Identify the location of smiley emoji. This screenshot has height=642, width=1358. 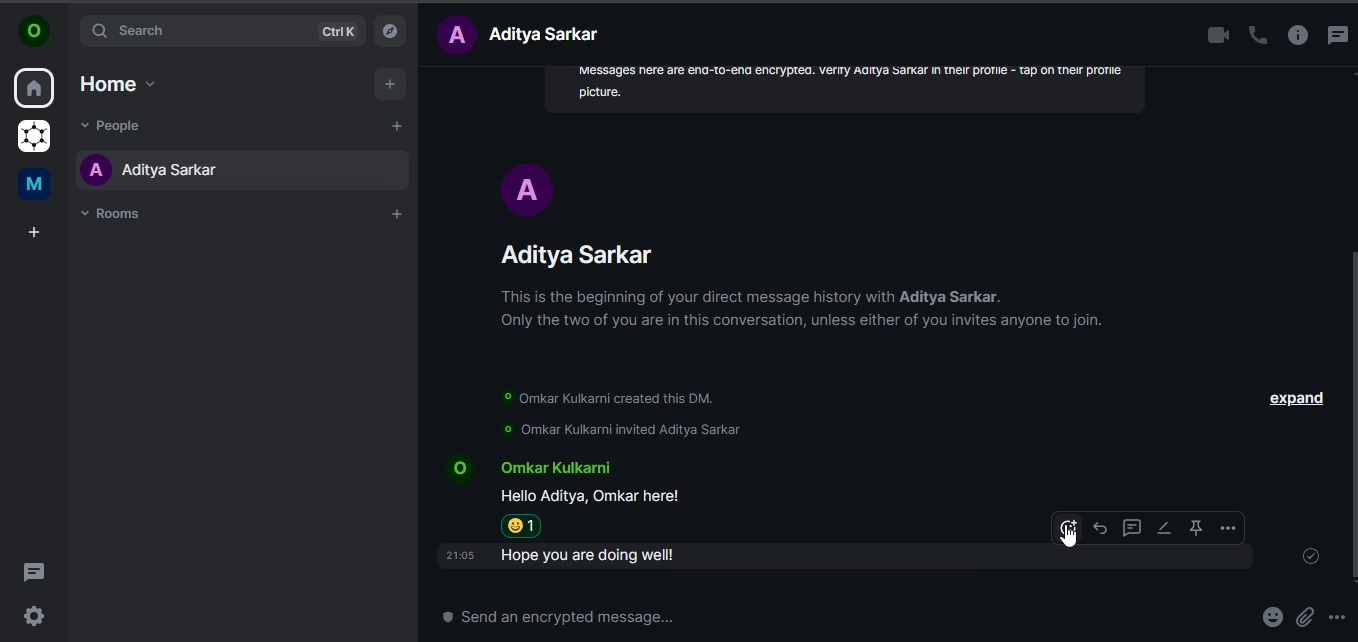
(525, 526).